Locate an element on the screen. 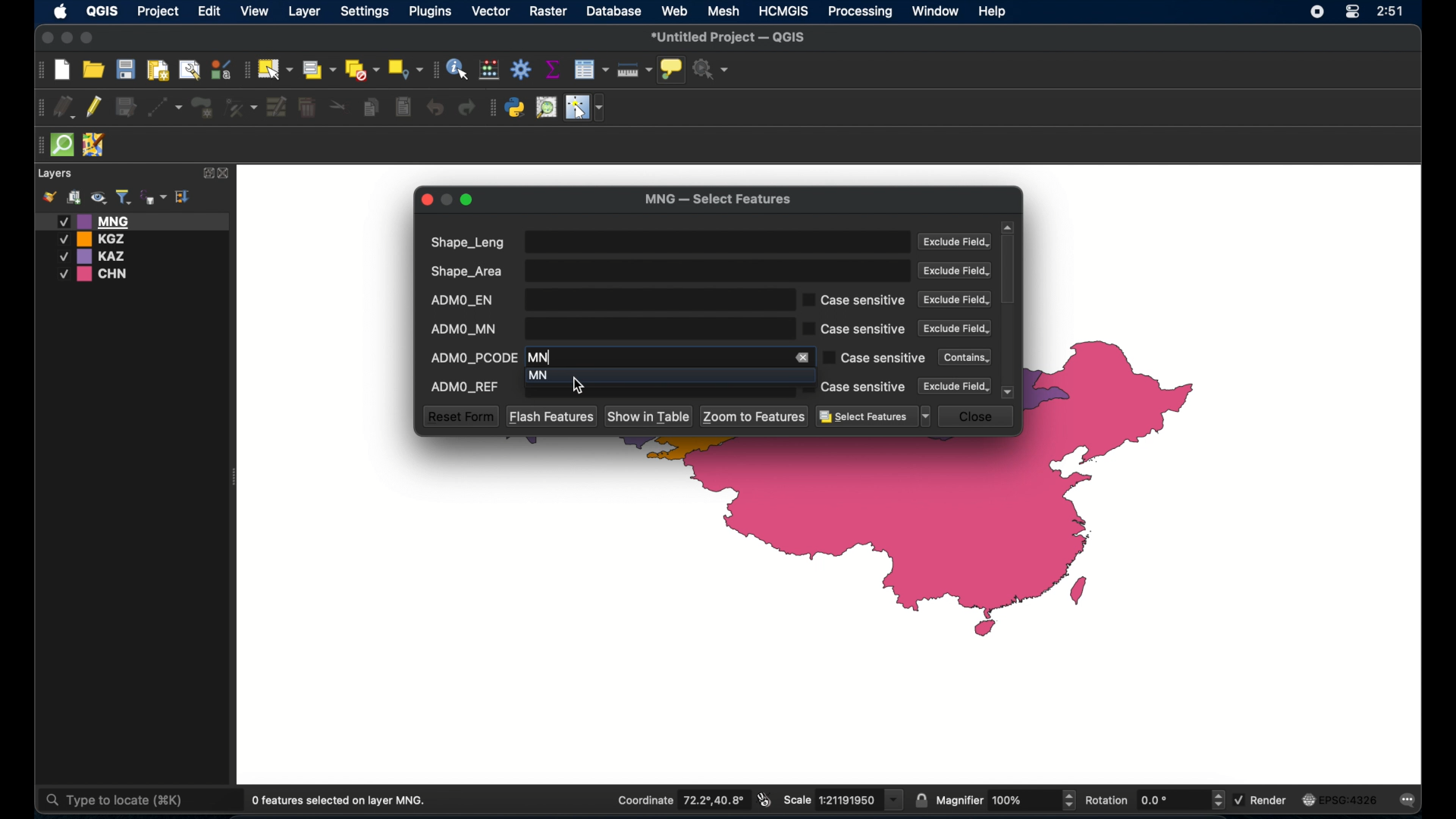  layers is located at coordinates (56, 174).